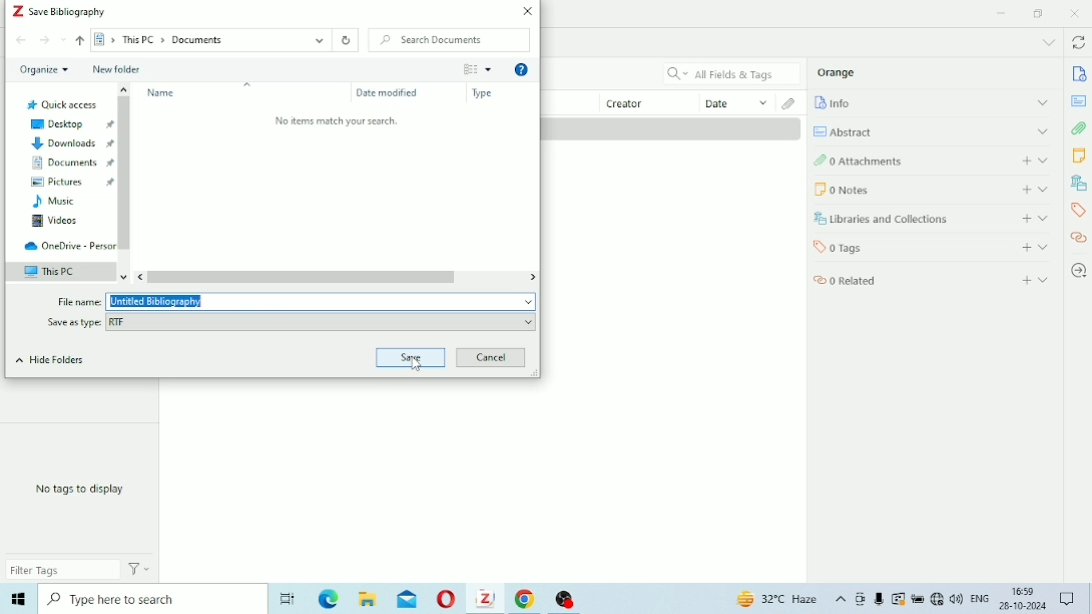 This screenshot has height=614, width=1092. What do you see at coordinates (287, 600) in the screenshot?
I see `Task View` at bounding box center [287, 600].